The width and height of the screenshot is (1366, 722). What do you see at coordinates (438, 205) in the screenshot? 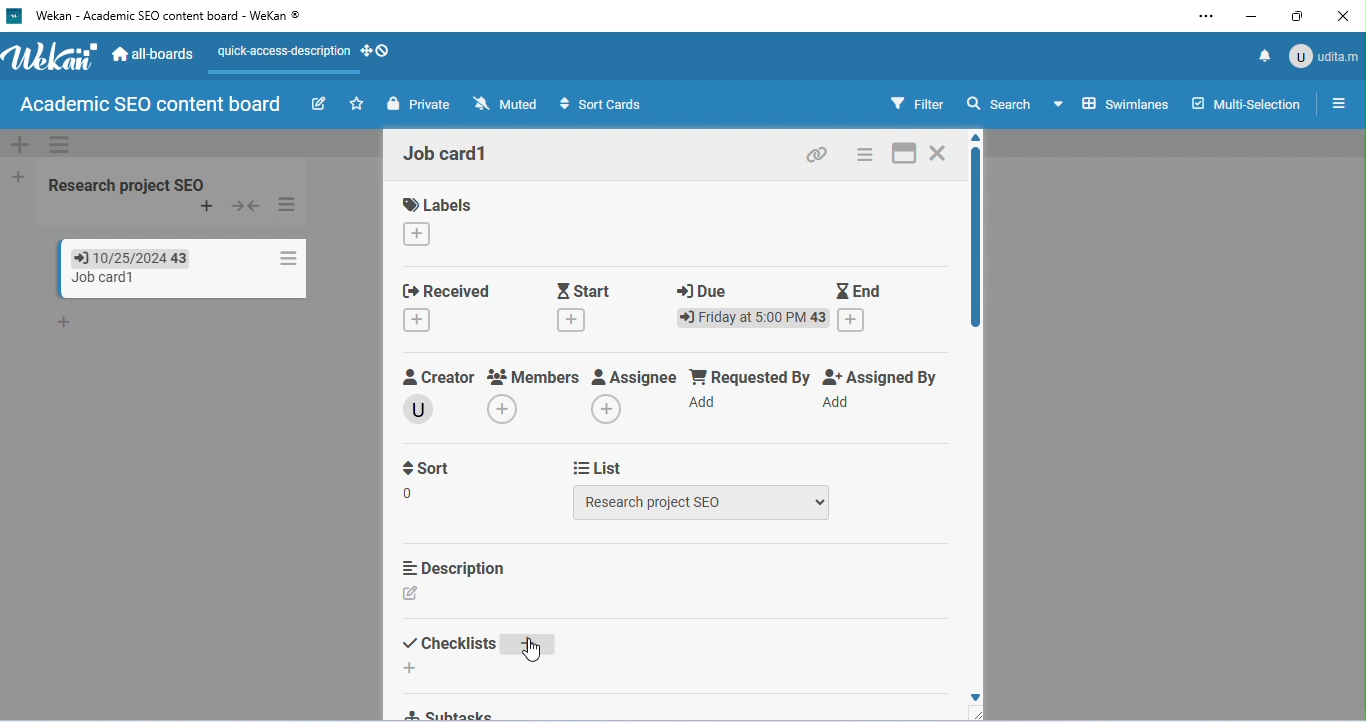
I see `labels` at bounding box center [438, 205].